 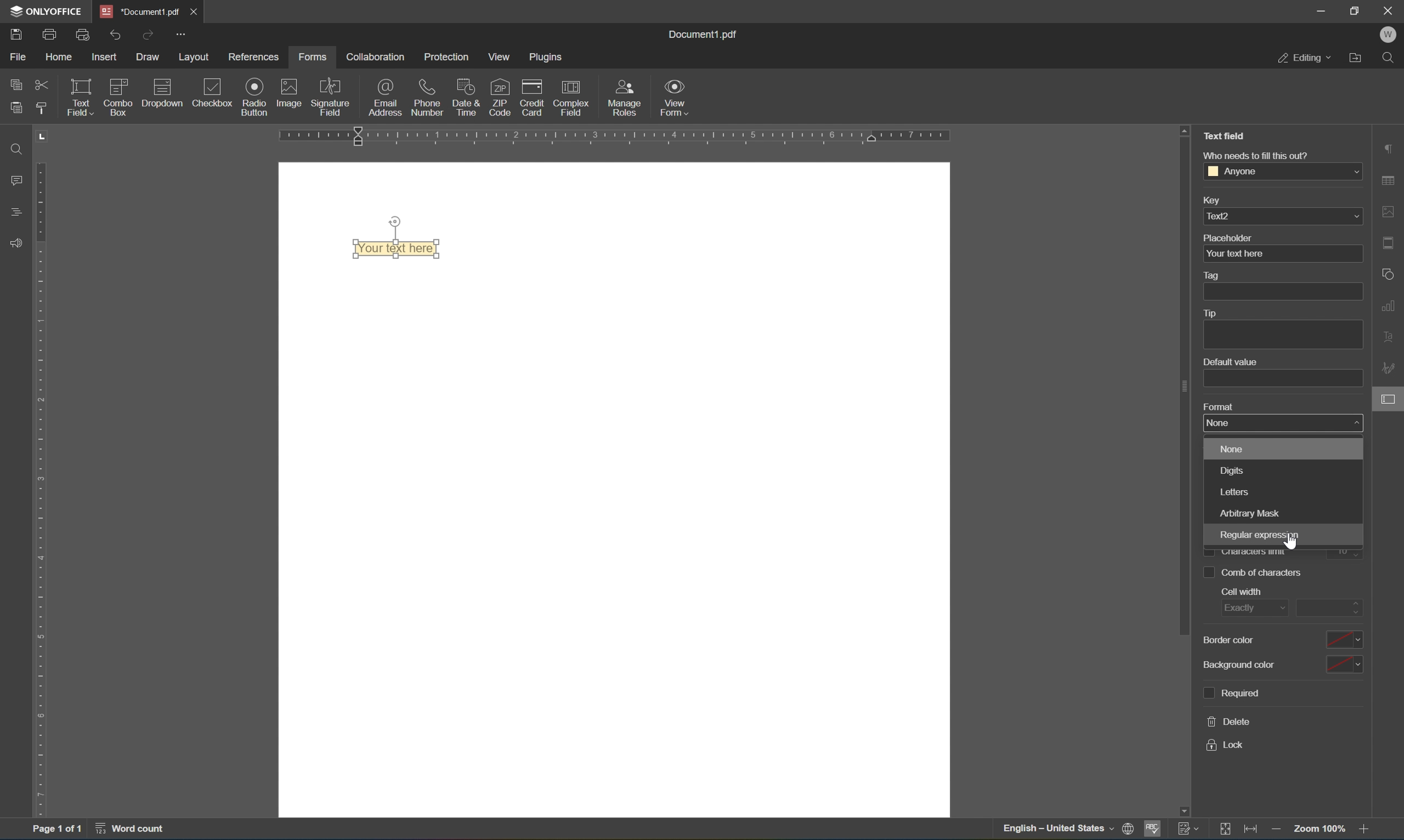 I want to click on manage roles, so click(x=625, y=97).